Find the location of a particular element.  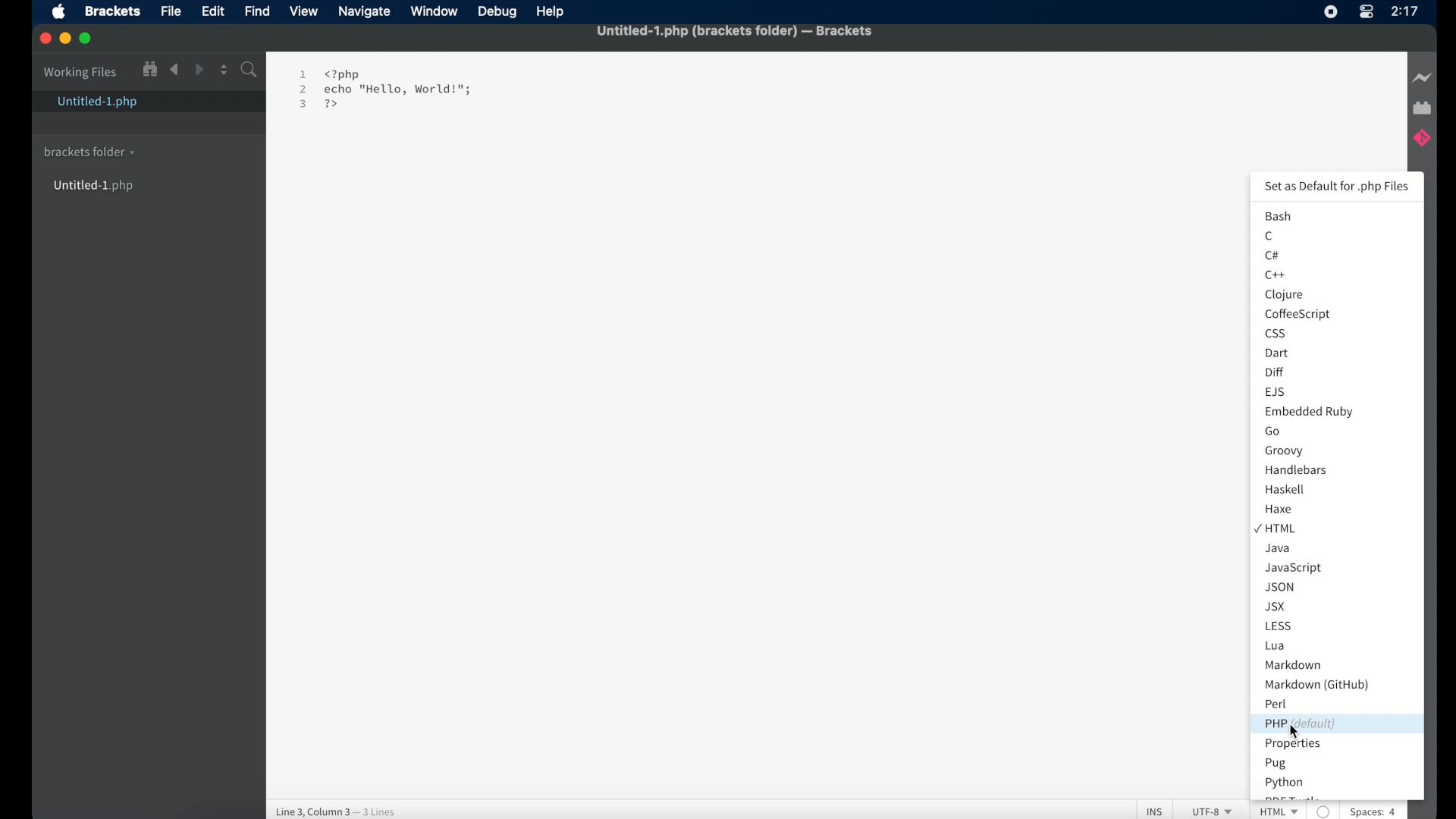

untitled-1 ph is located at coordinates (96, 187).